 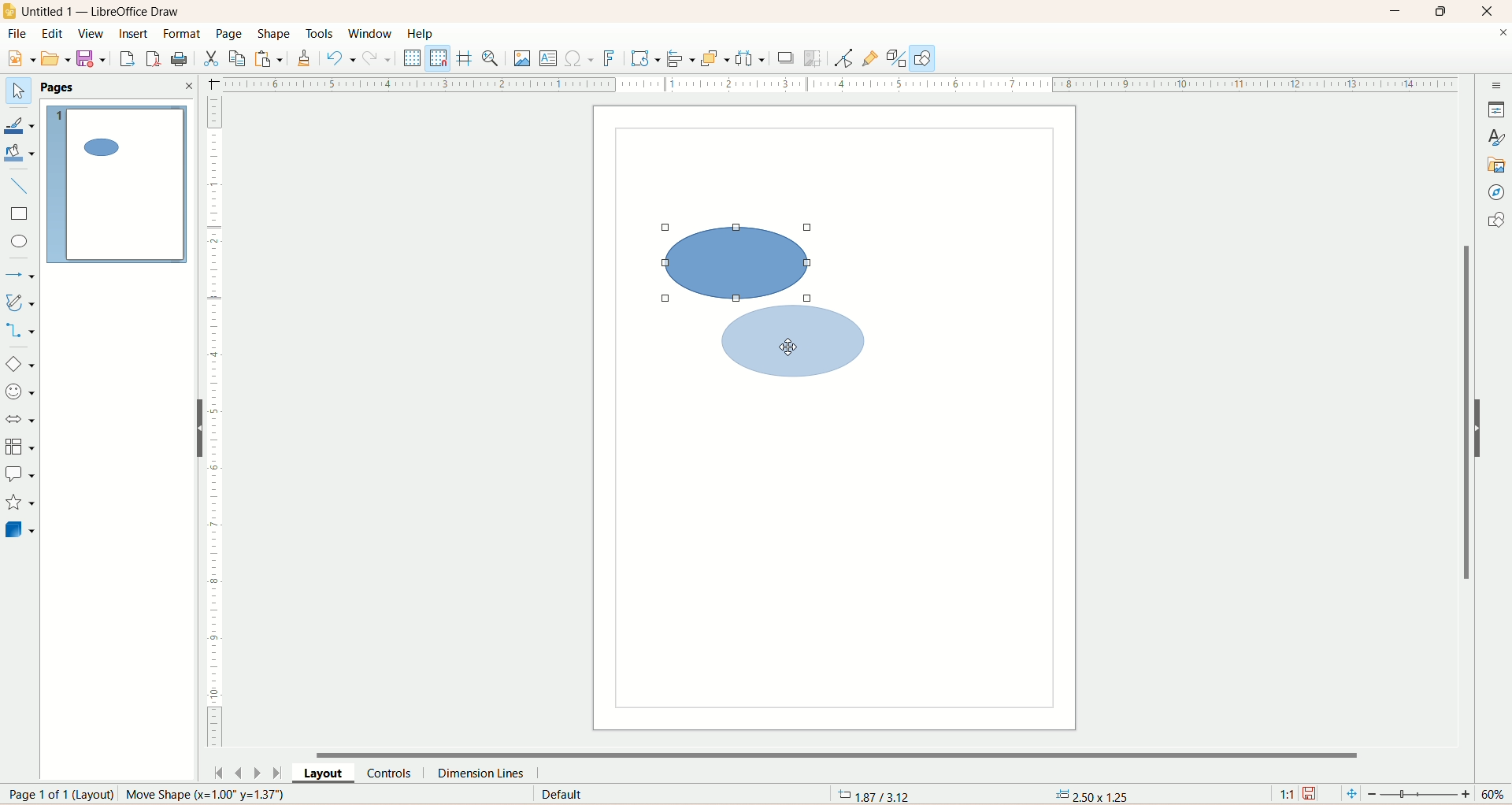 What do you see at coordinates (20, 154) in the screenshot?
I see `fill color` at bounding box center [20, 154].